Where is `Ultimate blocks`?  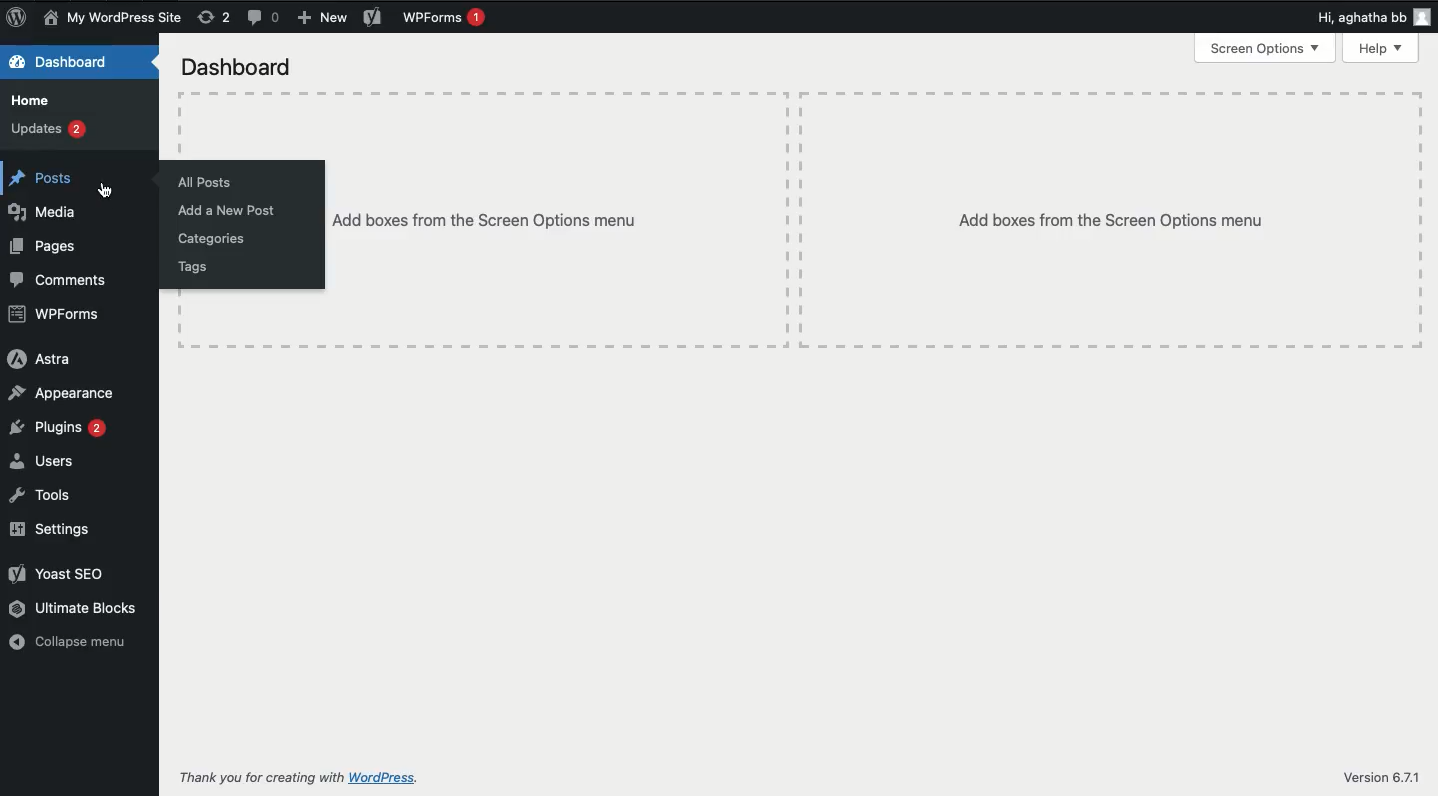
Ultimate blocks is located at coordinates (74, 607).